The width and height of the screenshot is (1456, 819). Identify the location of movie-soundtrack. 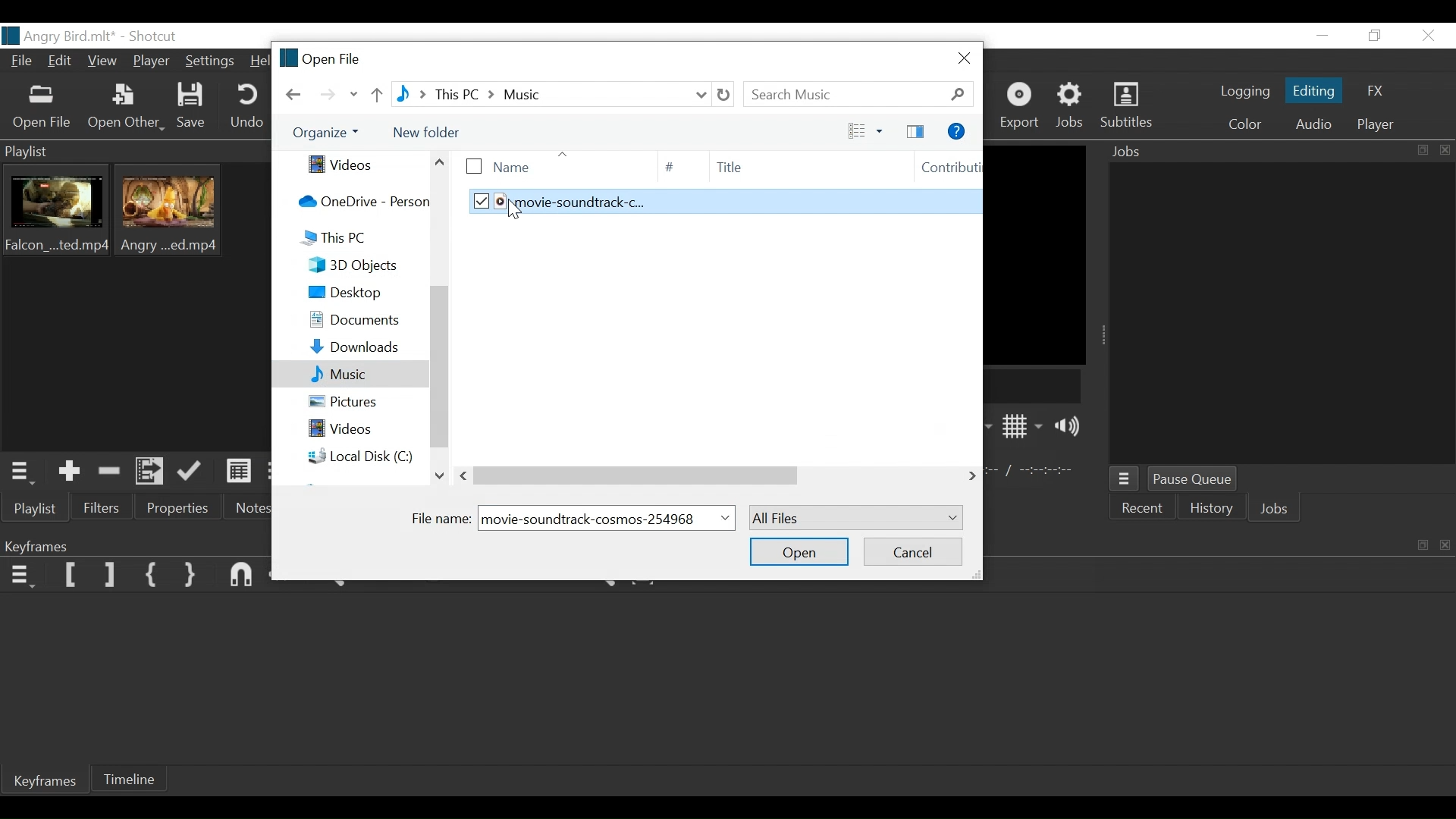
(603, 517).